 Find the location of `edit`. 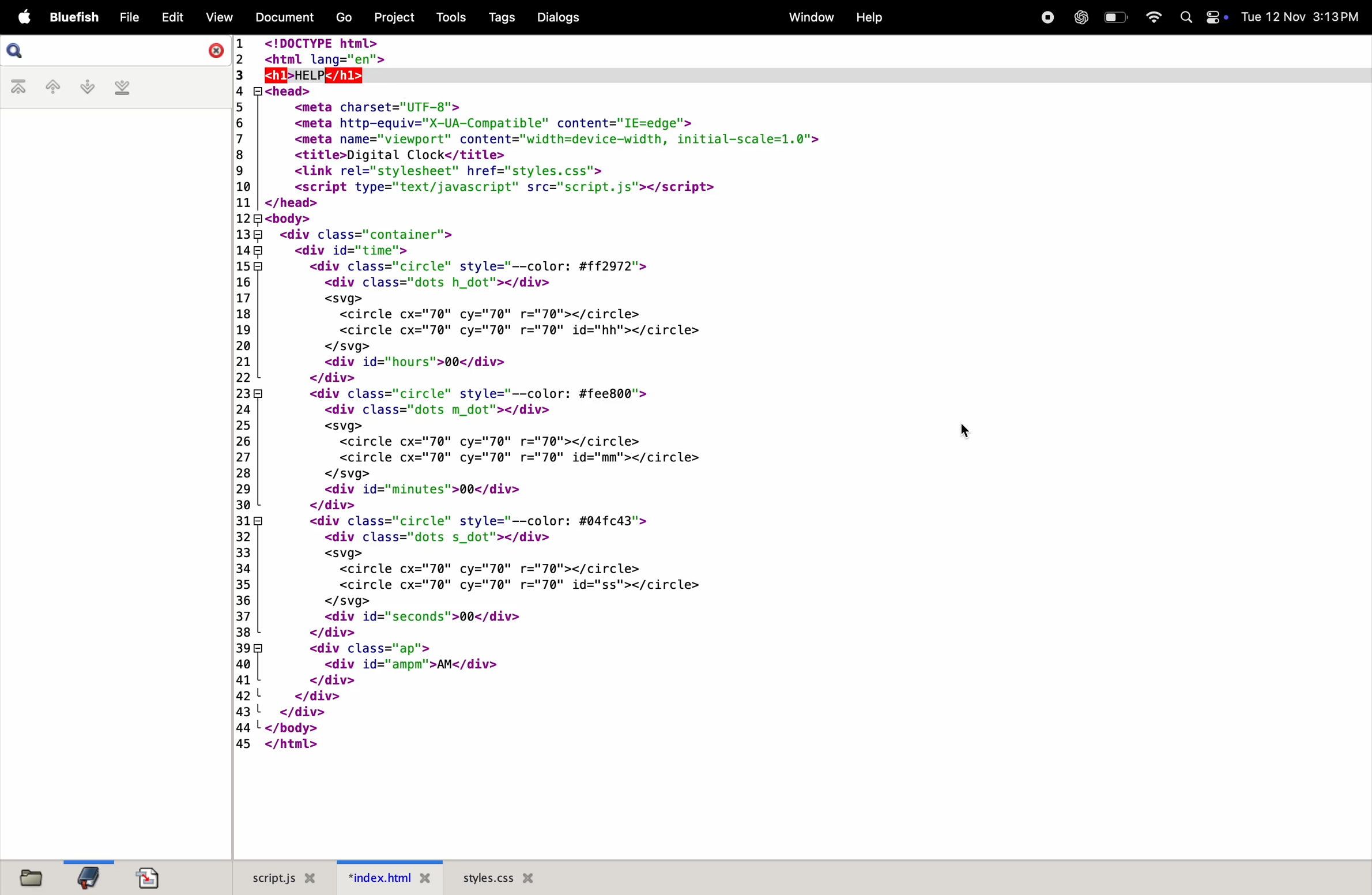

edit is located at coordinates (172, 16).